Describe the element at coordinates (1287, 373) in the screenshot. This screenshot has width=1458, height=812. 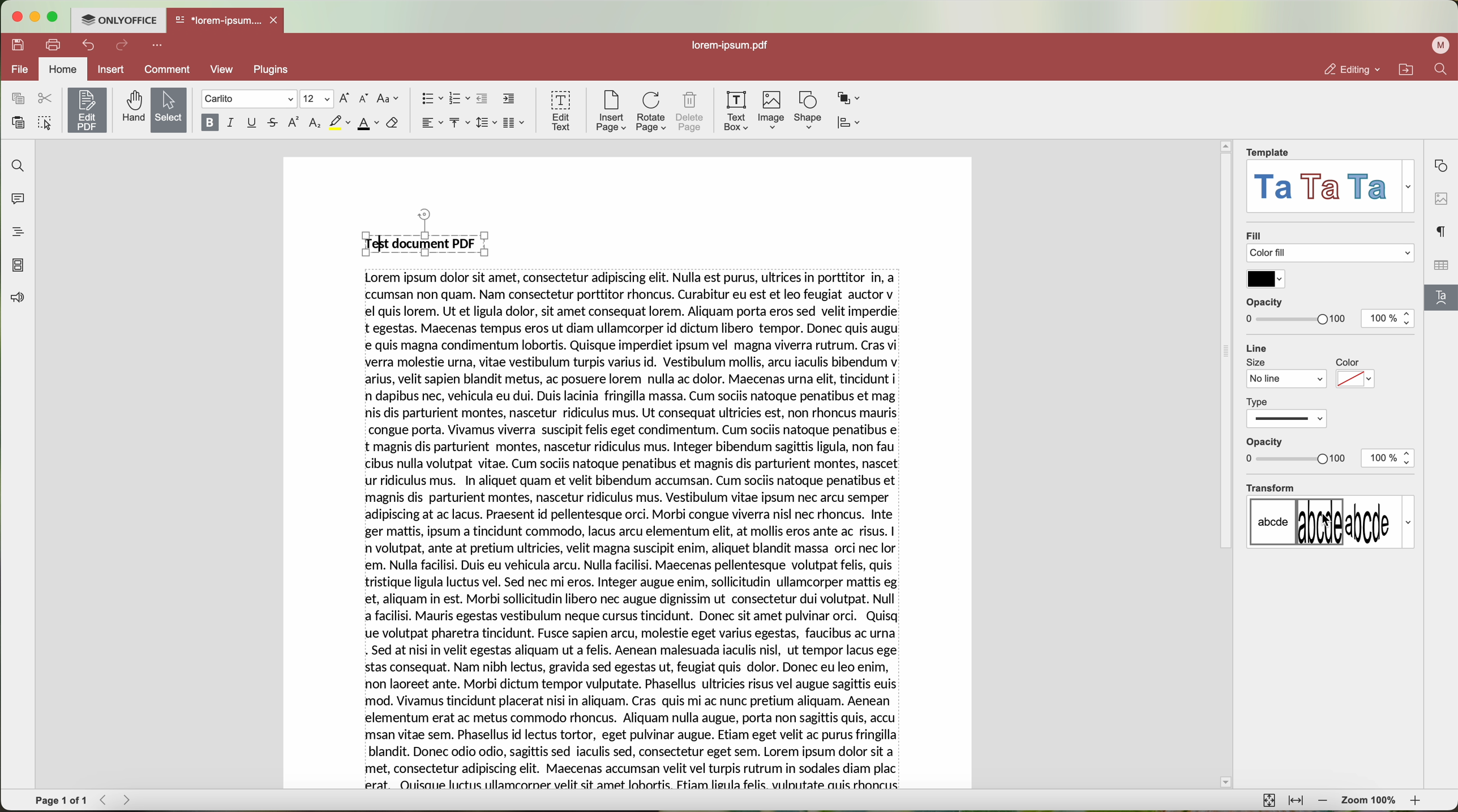
I see `size` at that location.